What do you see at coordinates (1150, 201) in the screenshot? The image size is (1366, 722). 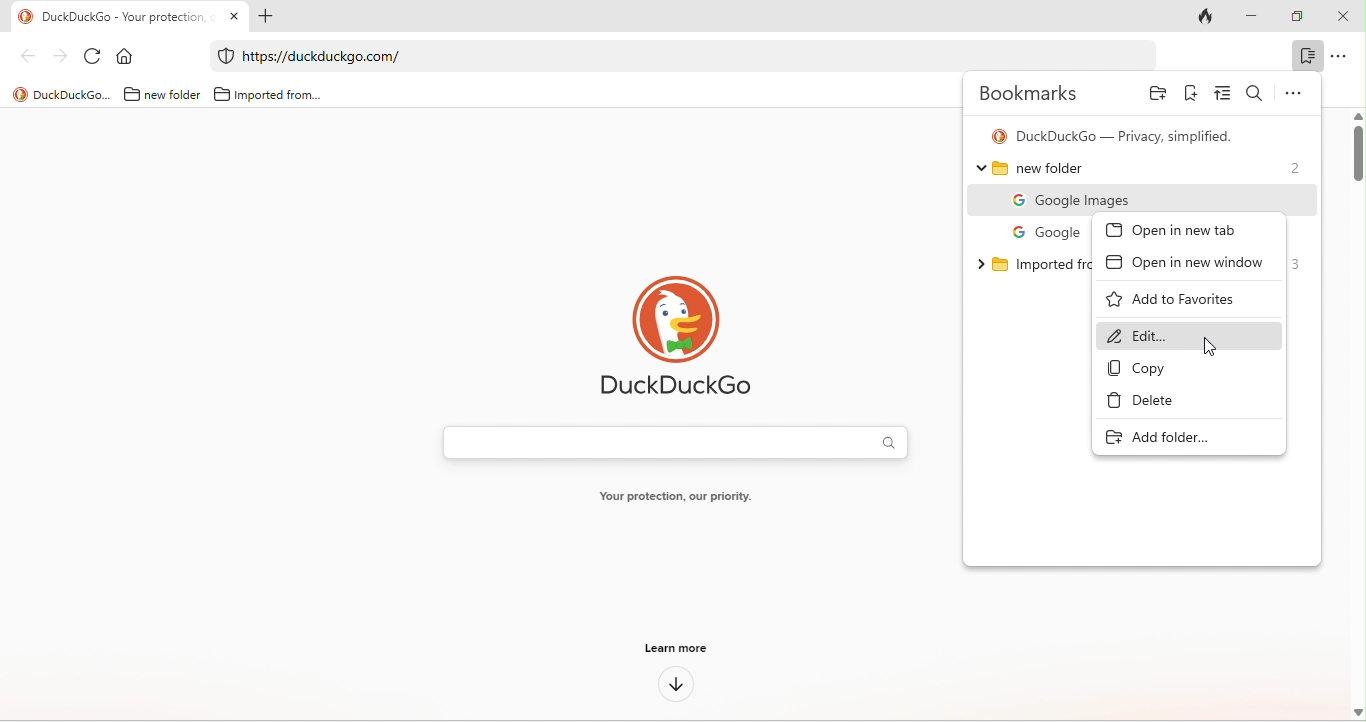 I see `google images` at bounding box center [1150, 201].